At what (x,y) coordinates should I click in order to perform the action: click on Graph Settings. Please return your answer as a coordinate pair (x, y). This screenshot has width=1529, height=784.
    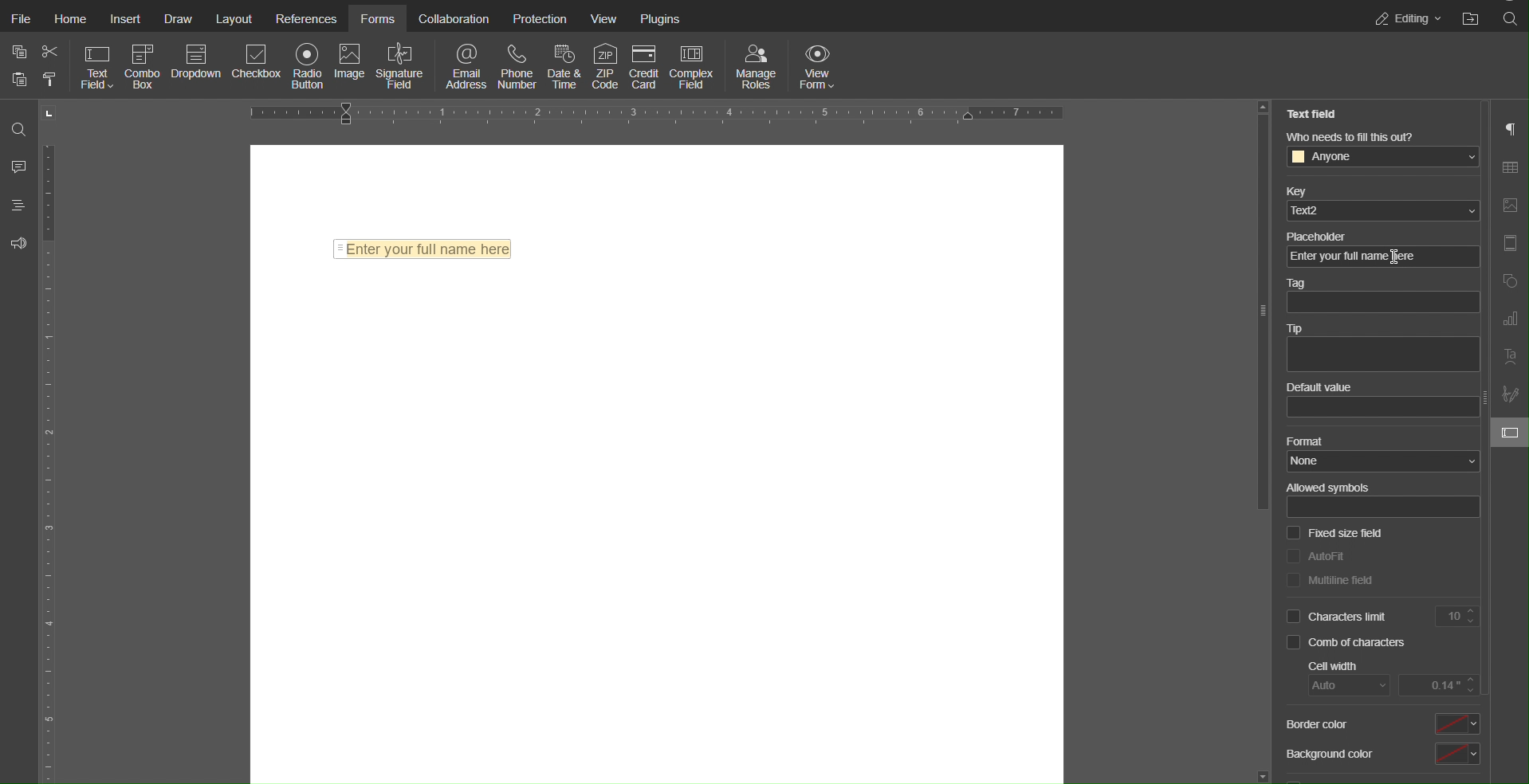
    Looking at the image, I should click on (1509, 319).